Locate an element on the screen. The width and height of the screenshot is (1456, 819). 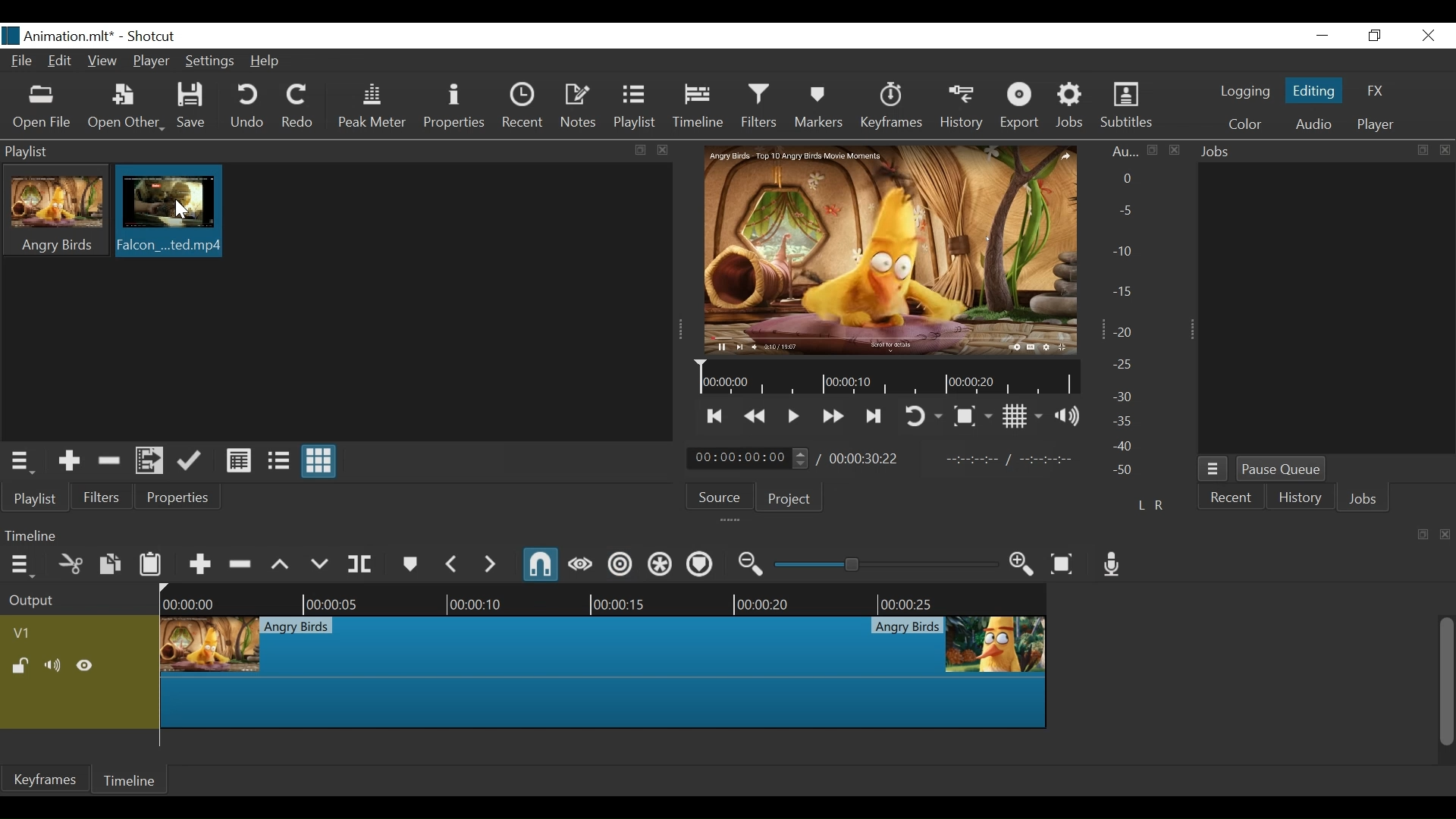
Ripple all tracks is located at coordinates (661, 565).